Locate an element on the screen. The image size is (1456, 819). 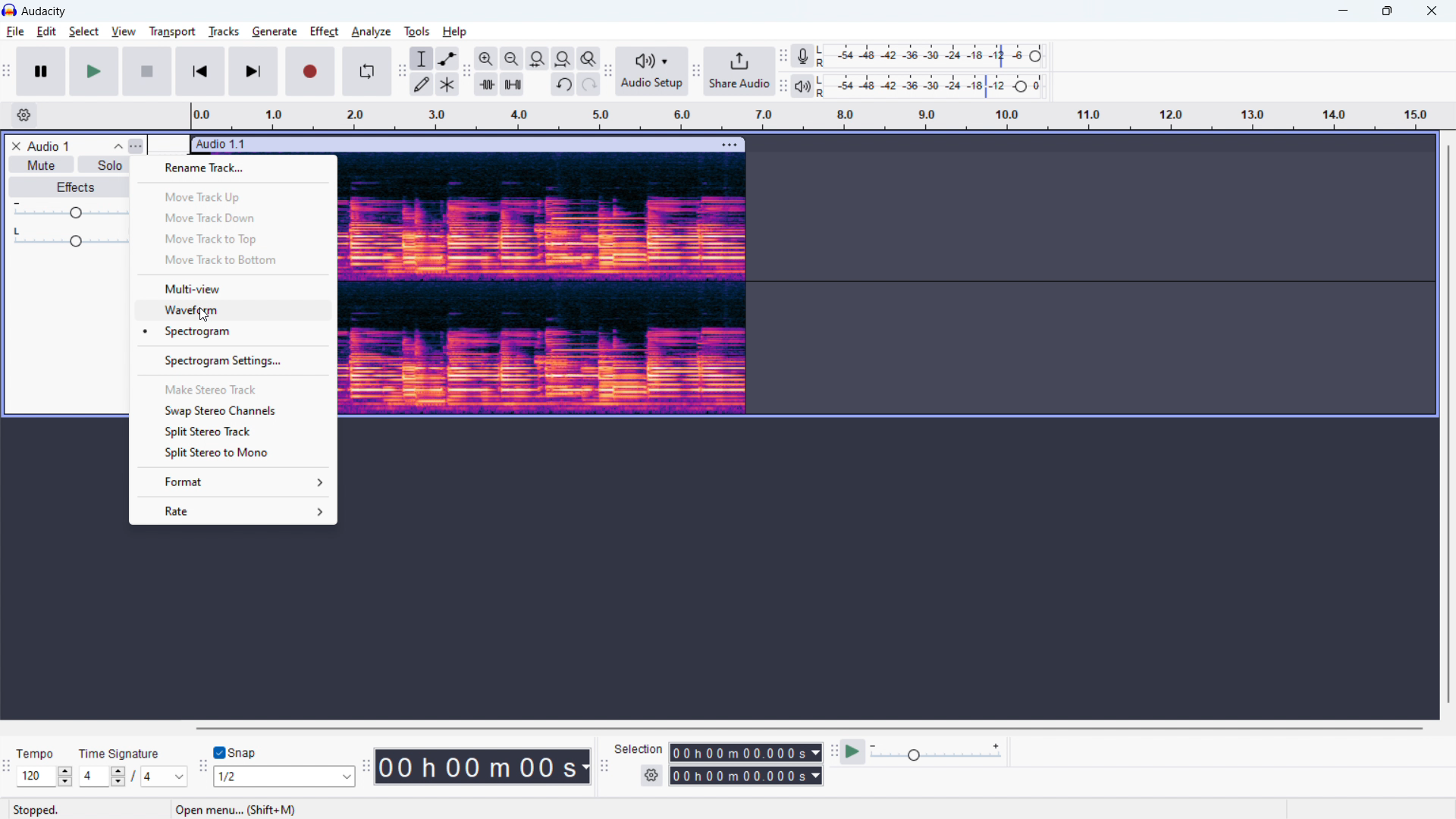
pause is located at coordinates (40, 71).